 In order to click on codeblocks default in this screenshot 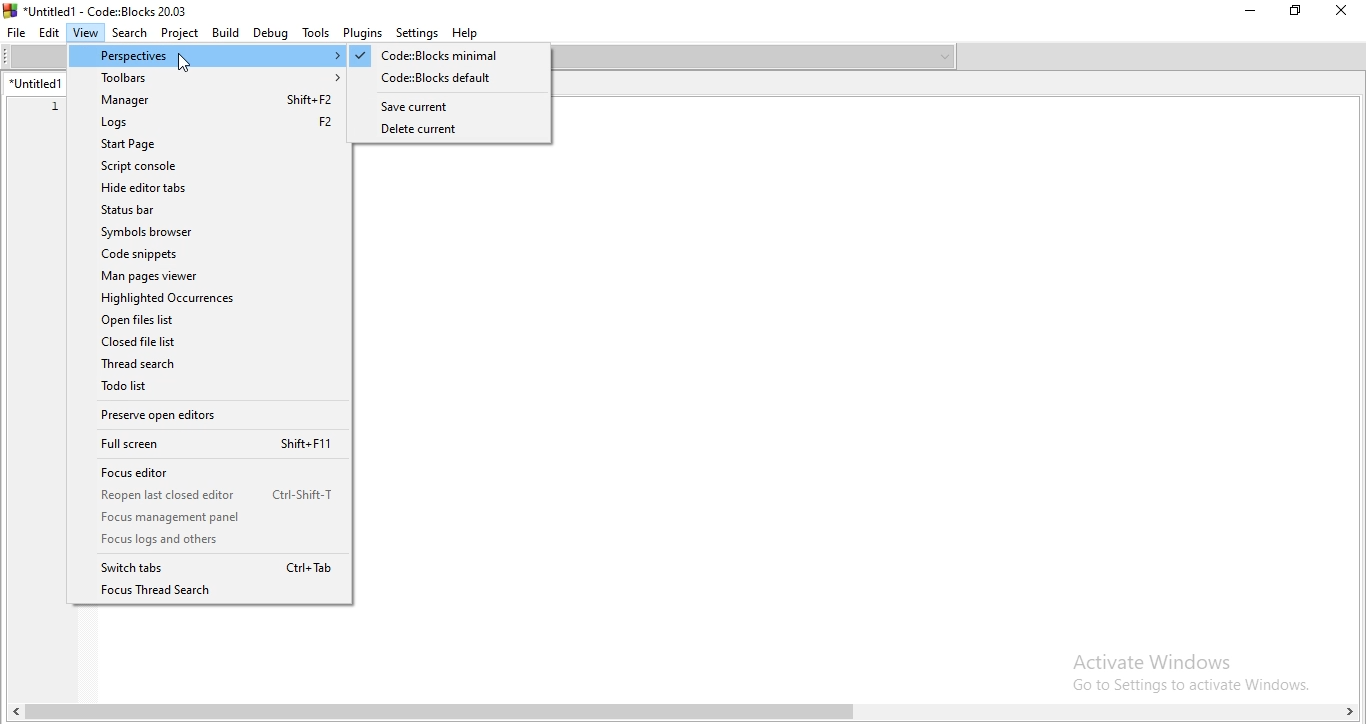, I will do `click(452, 81)`.